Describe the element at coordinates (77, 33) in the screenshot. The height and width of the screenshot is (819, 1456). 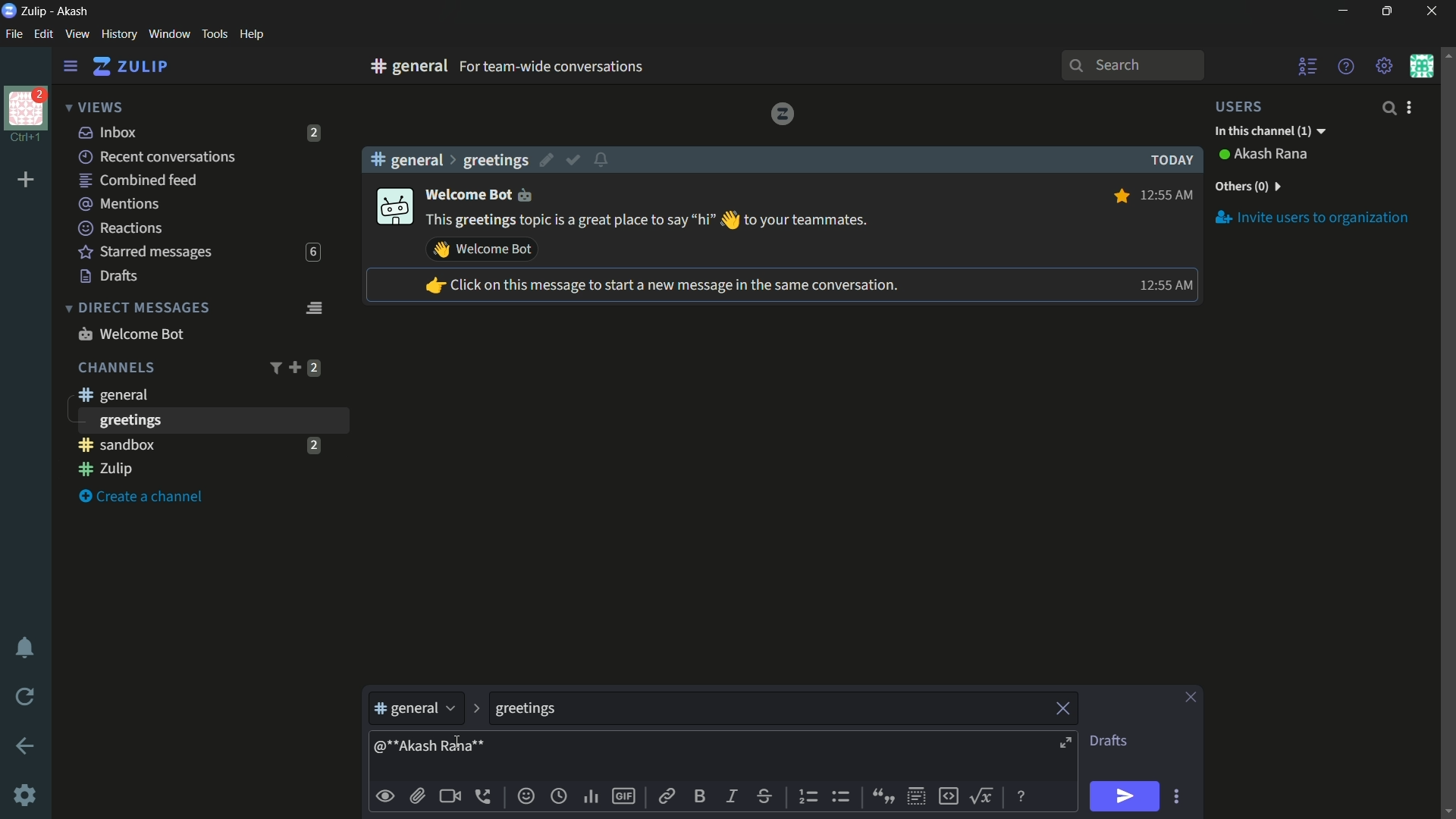
I see `view menu` at that location.